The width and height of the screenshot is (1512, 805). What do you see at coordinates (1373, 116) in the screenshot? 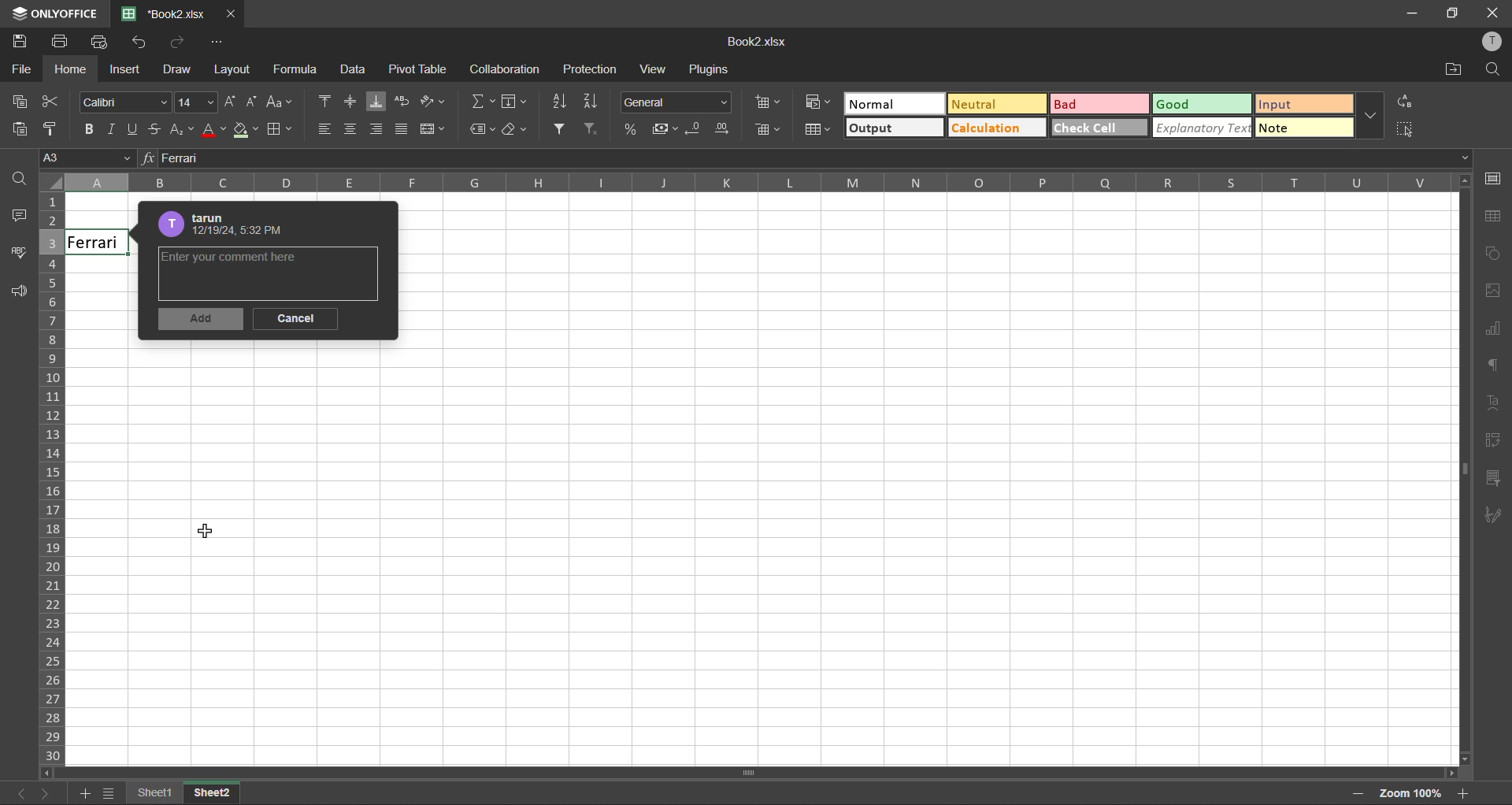
I see `more options` at bounding box center [1373, 116].